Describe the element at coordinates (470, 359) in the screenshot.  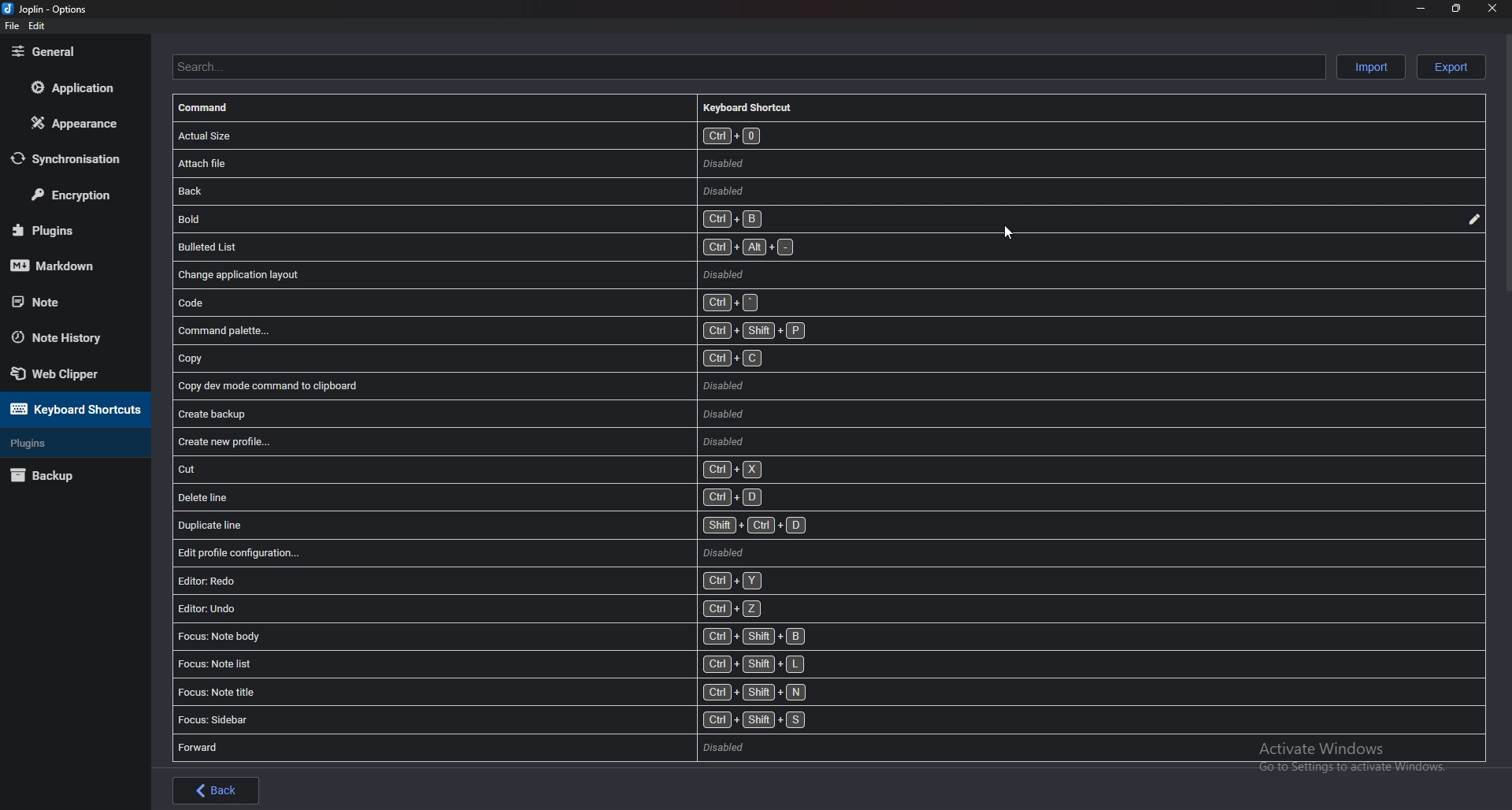
I see `Copy` at that location.